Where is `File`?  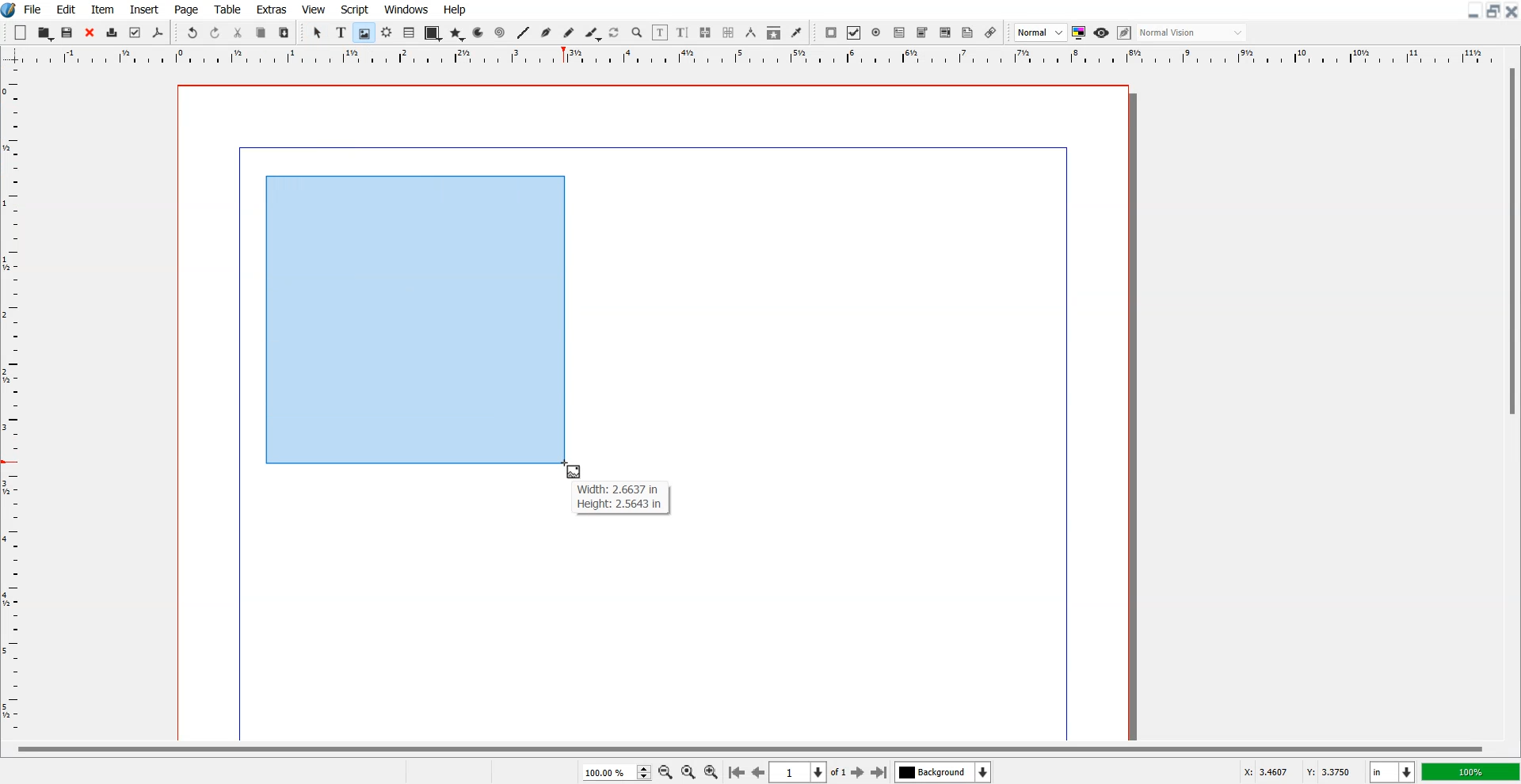
File is located at coordinates (33, 9).